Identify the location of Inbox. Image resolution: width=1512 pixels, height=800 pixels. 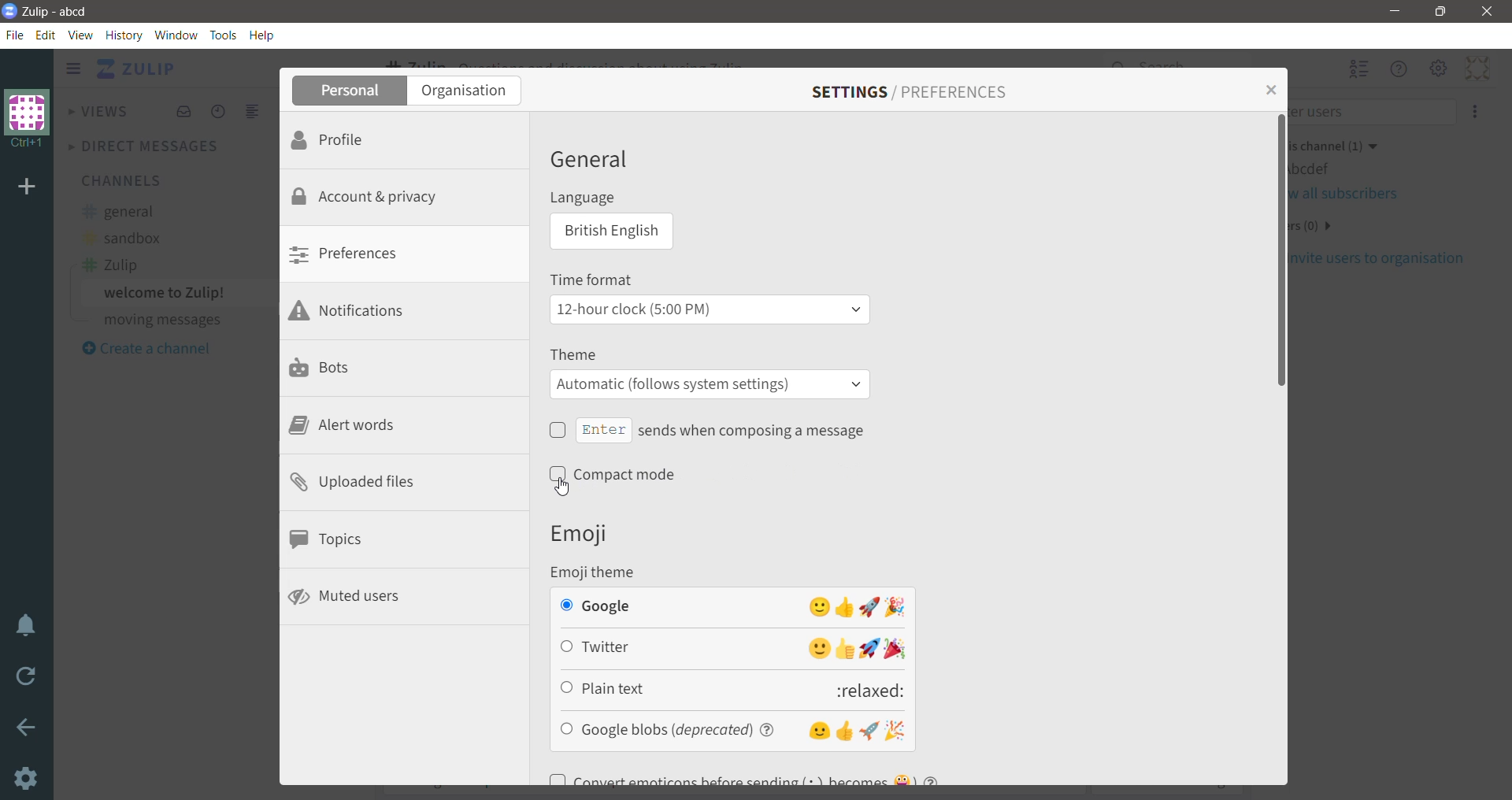
(183, 112).